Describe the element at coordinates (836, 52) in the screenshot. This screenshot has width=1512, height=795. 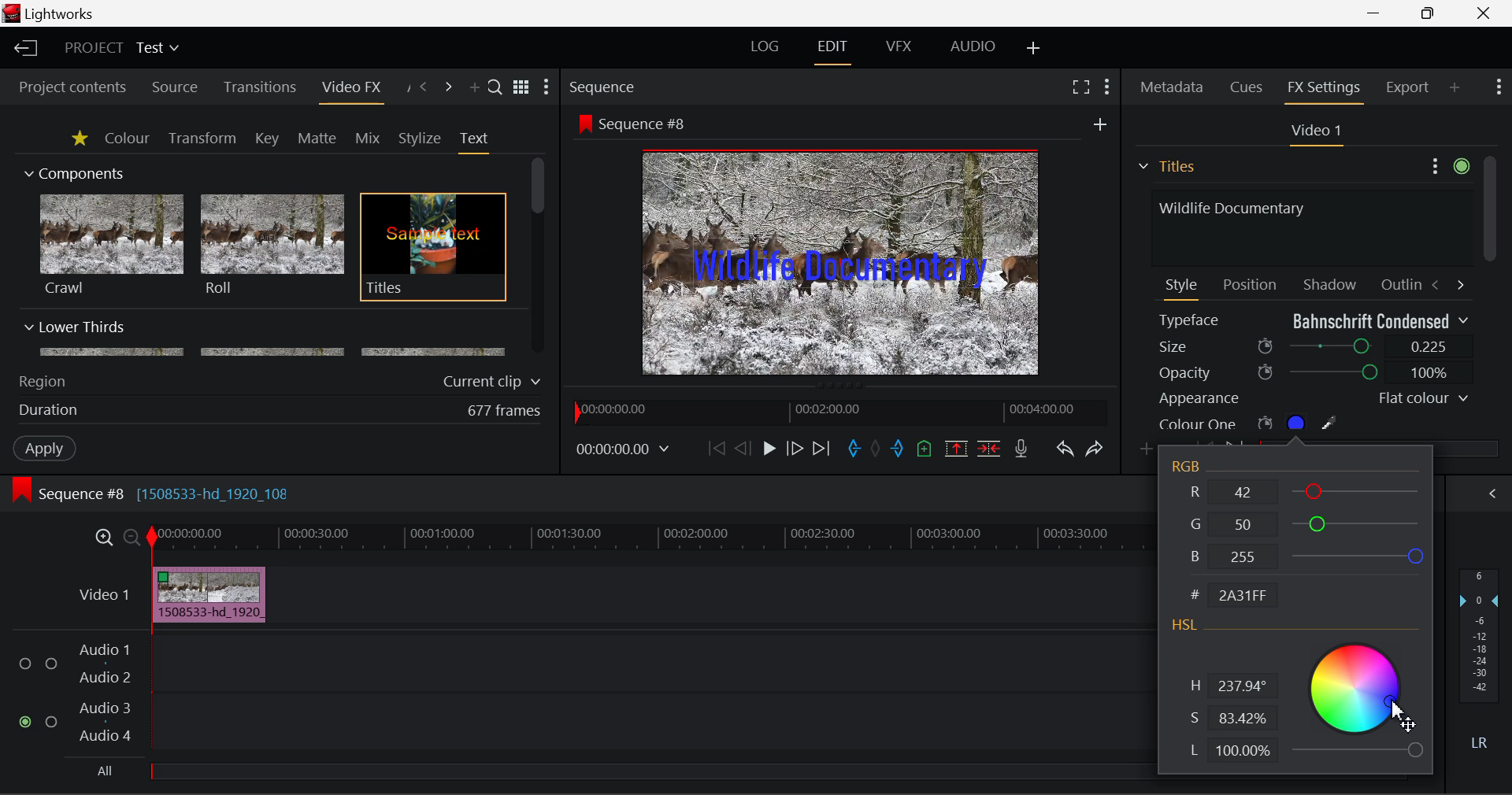
I see `EDIT Layout Open` at that location.